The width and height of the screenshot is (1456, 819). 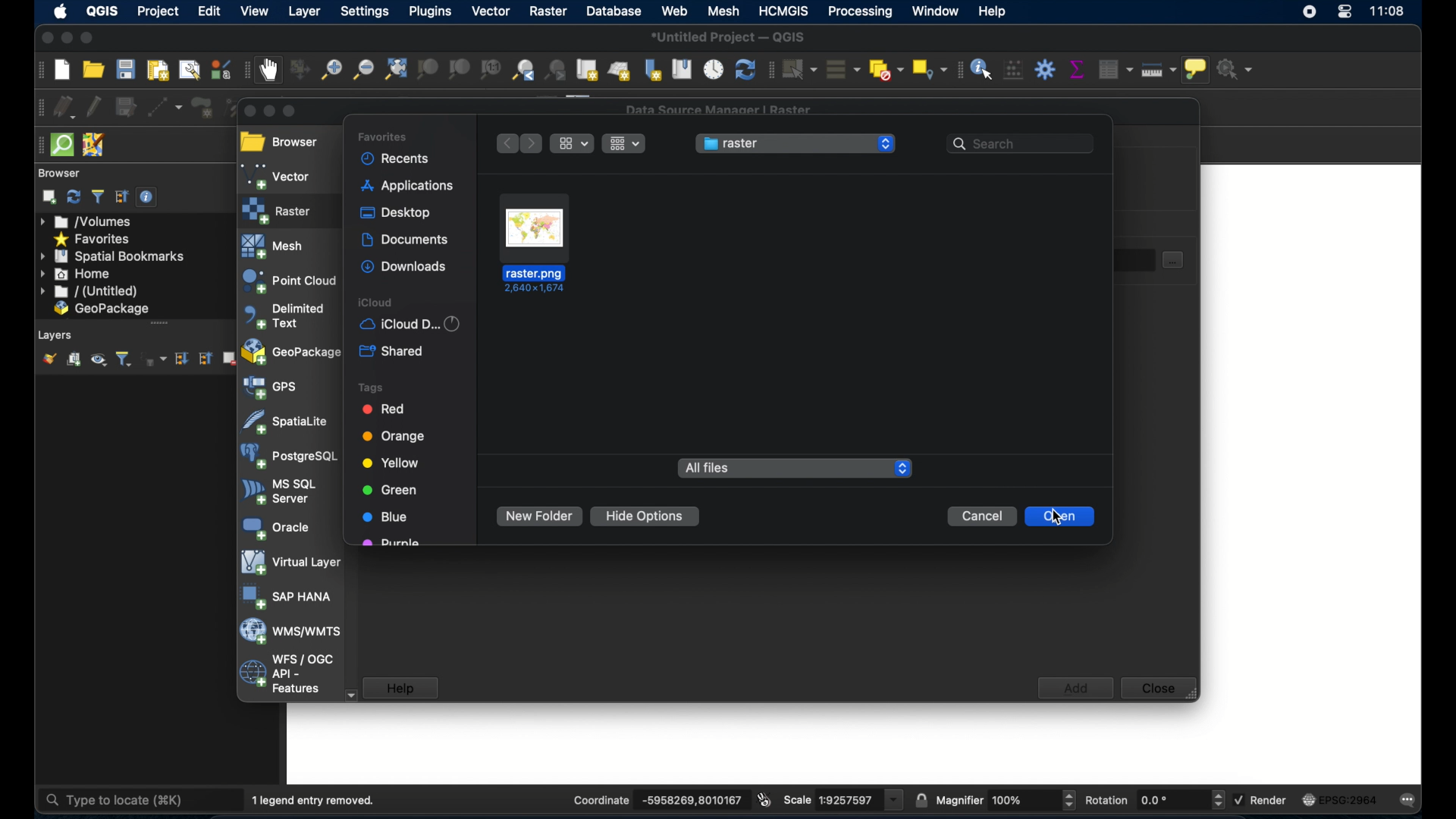 I want to click on show statistical summary, so click(x=1076, y=69).